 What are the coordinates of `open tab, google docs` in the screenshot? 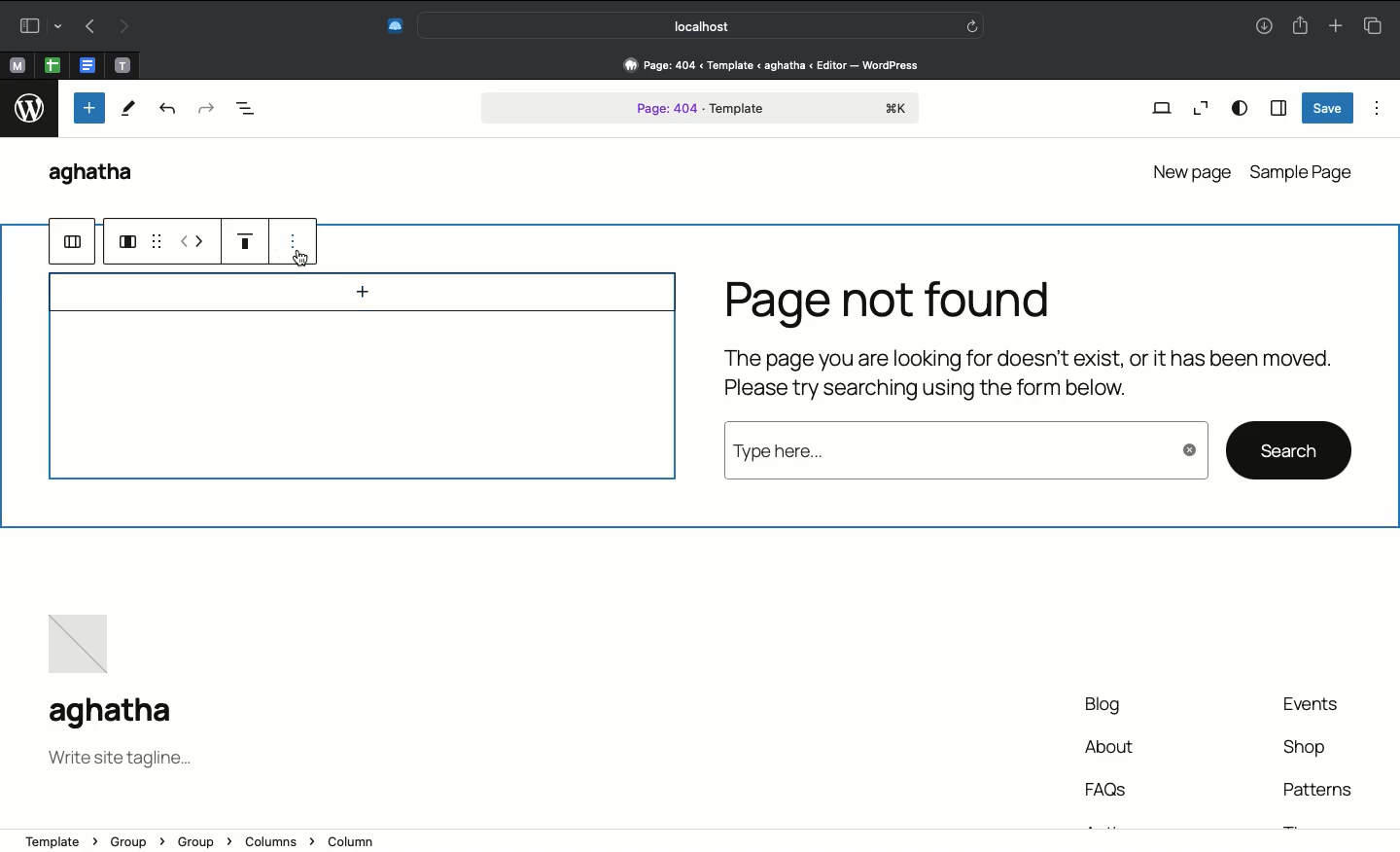 It's located at (86, 66).